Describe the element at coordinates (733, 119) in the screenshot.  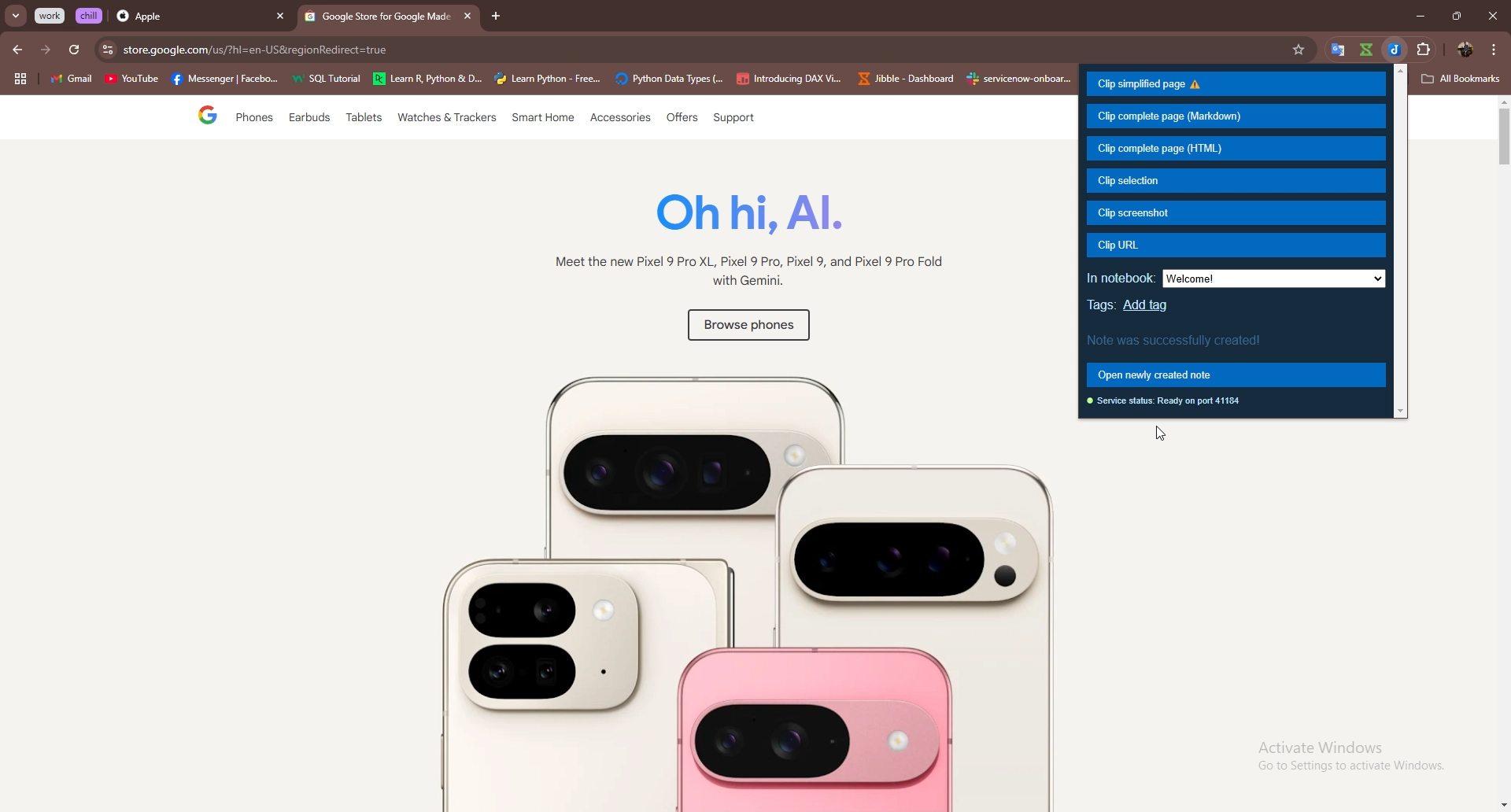
I see `support` at that location.